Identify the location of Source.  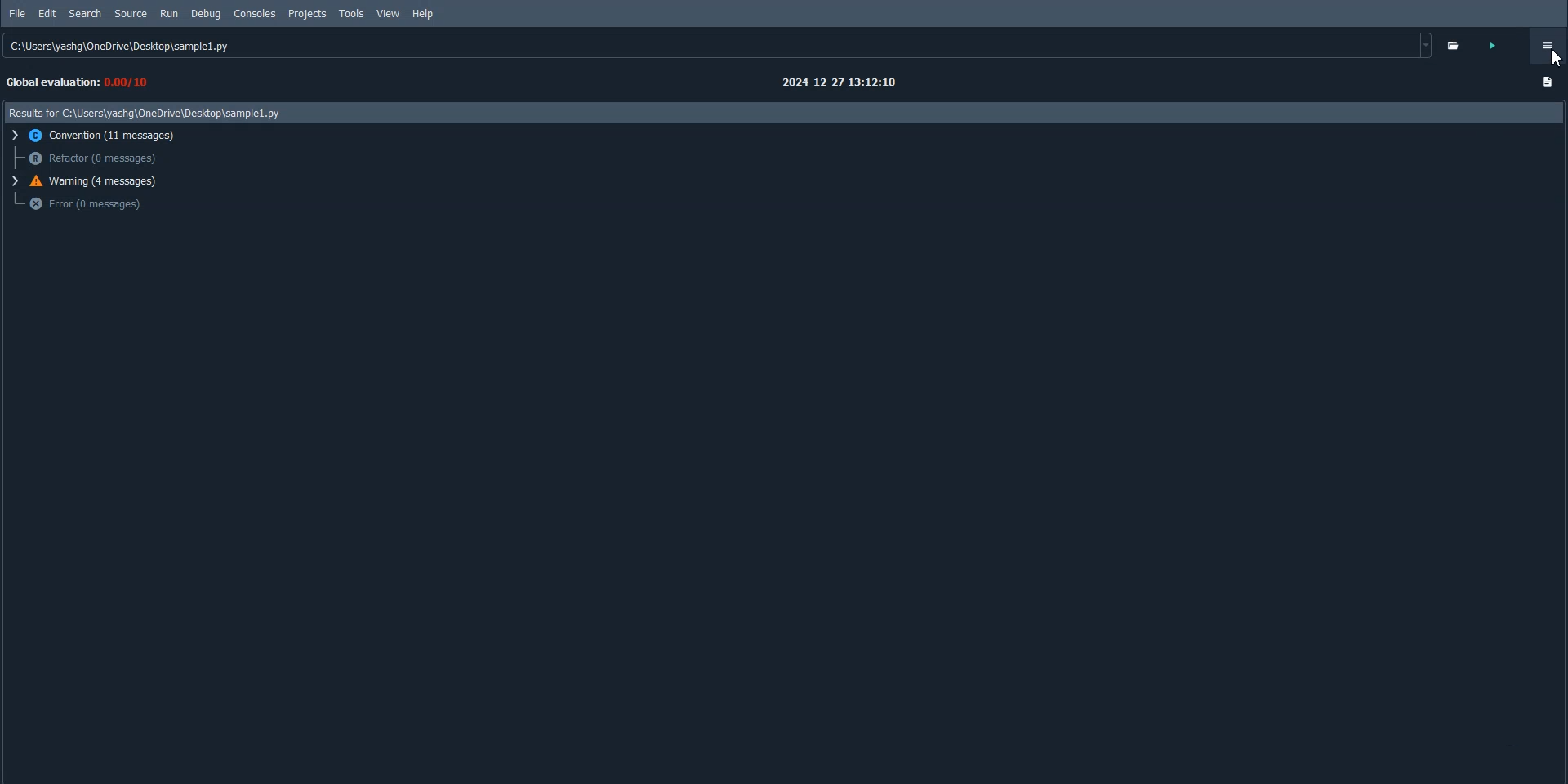
(131, 14).